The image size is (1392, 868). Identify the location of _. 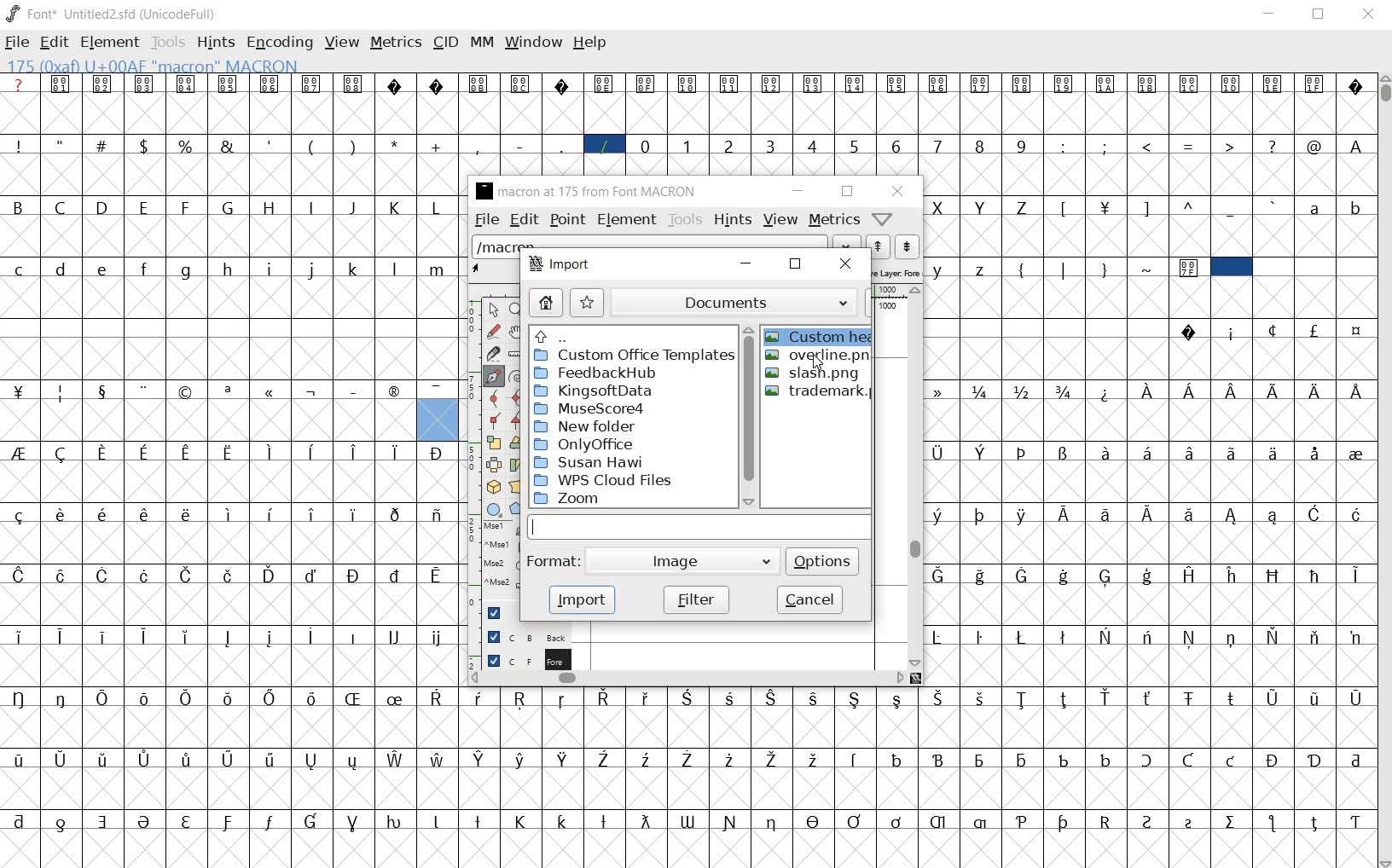
(1232, 208).